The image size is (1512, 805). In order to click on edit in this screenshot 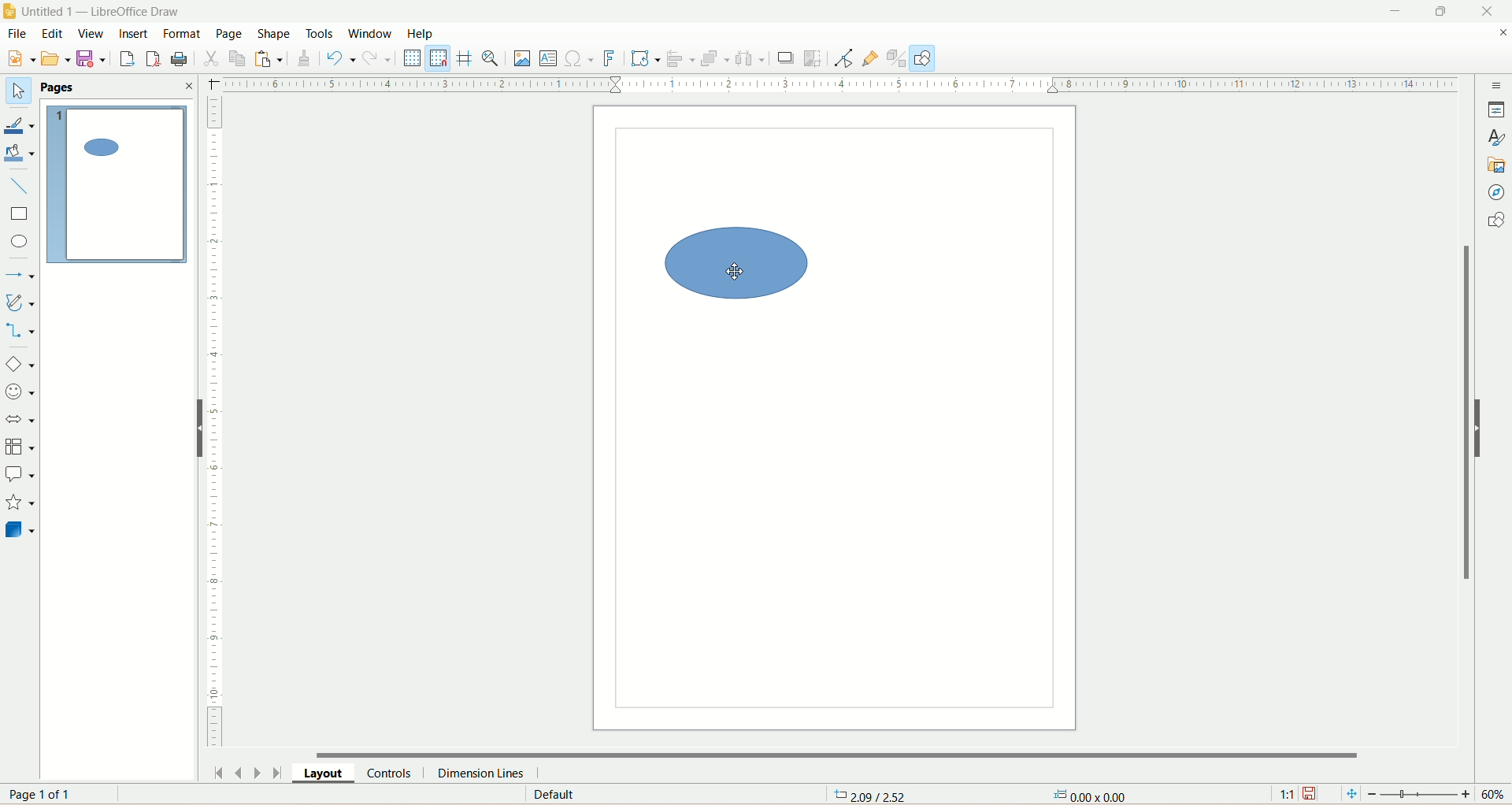, I will do `click(51, 33)`.